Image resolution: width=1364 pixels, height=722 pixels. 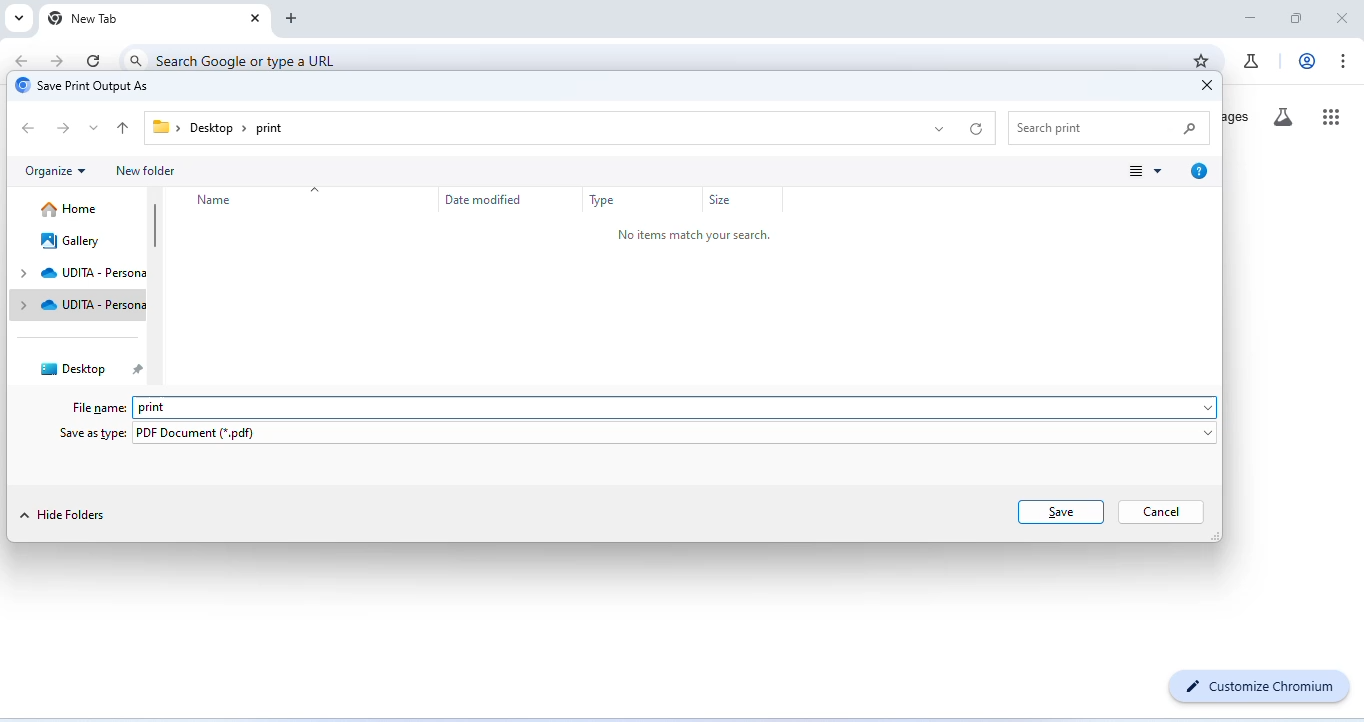 I want to click on new folder, so click(x=150, y=172).